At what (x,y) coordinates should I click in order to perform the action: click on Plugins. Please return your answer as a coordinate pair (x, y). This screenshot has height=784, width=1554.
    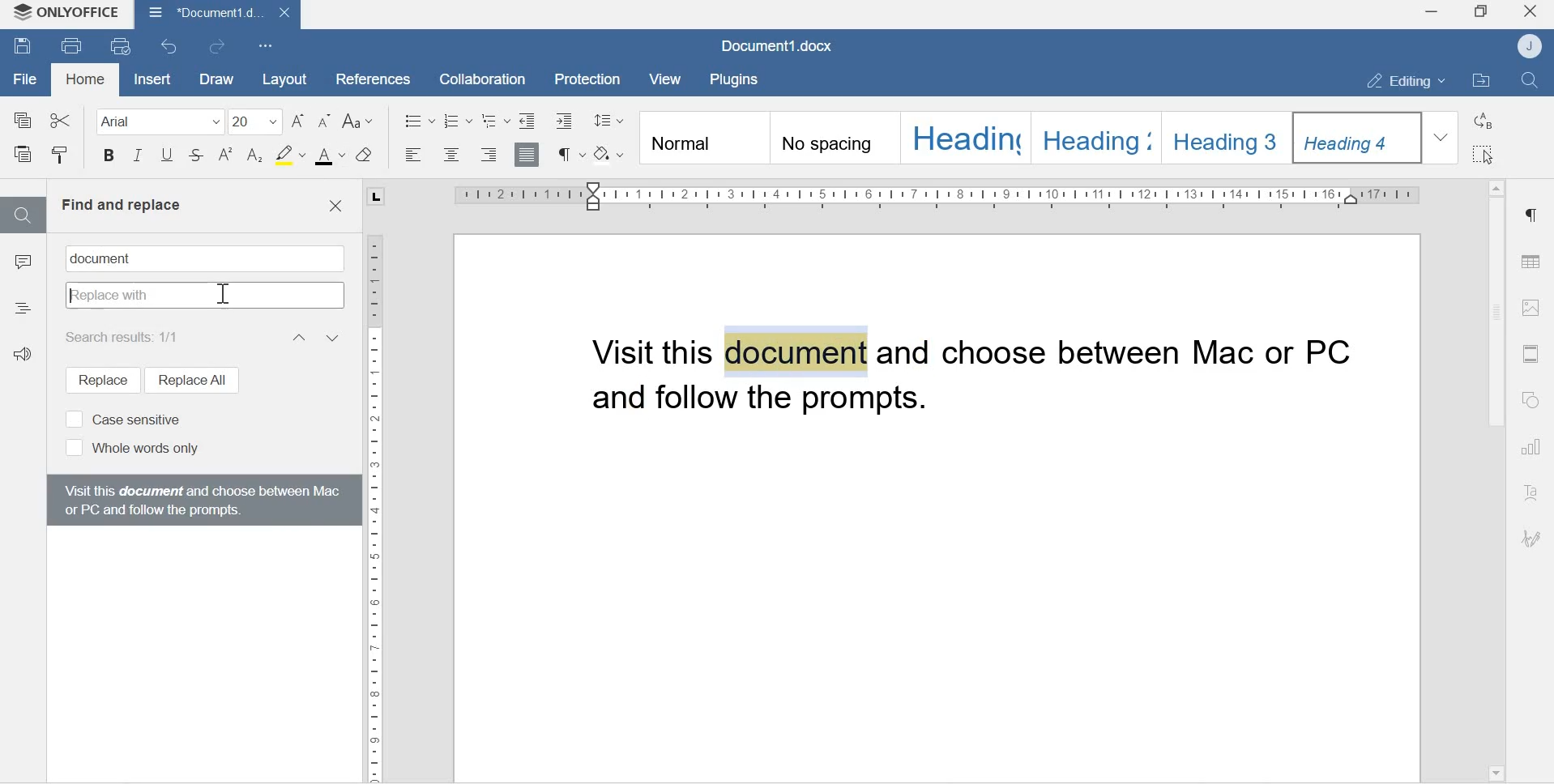
    Looking at the image, I should click on (738, 78).